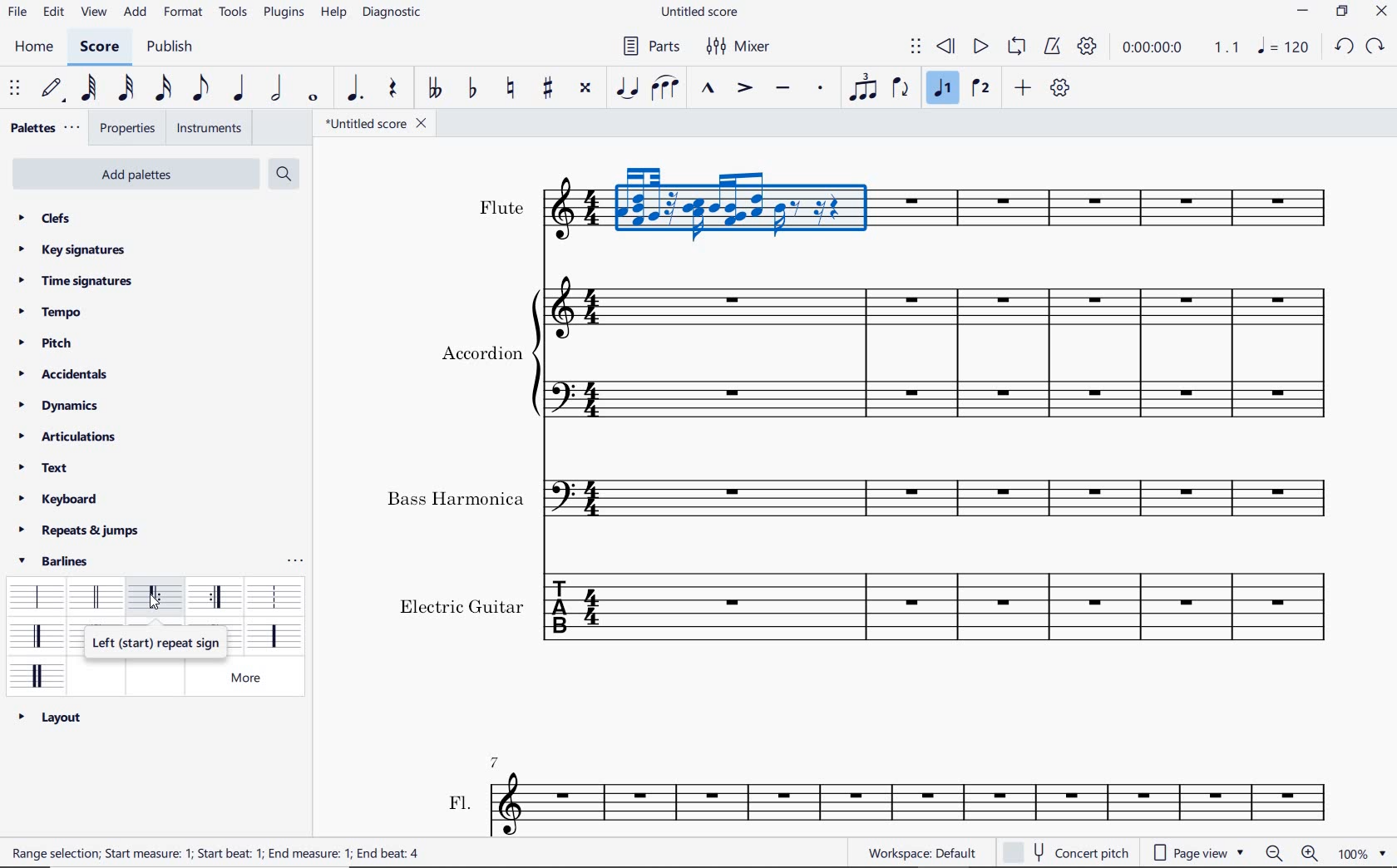  I want to click on select to move, so click(916, 47).